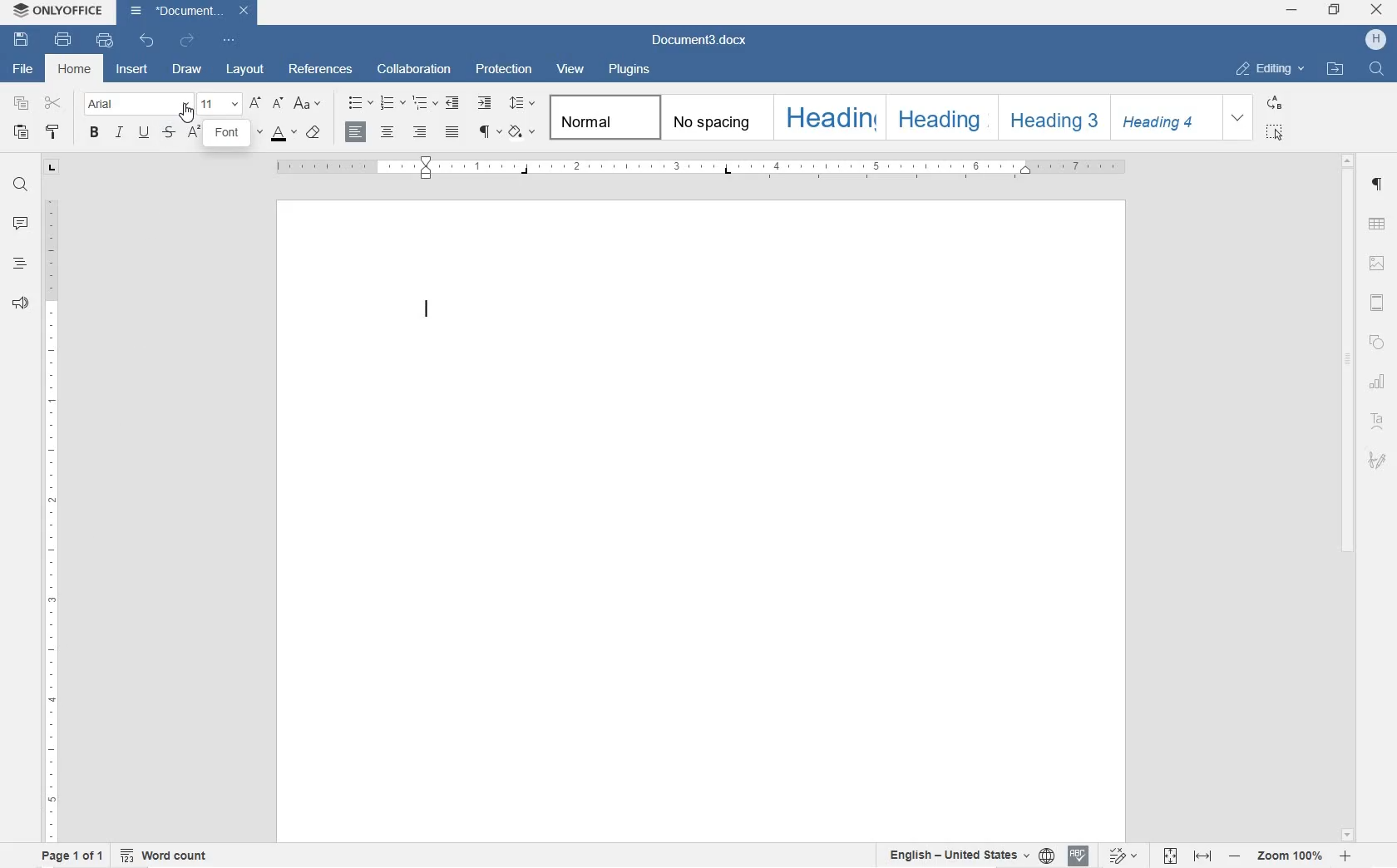 Image resolution: width=1397 pixels, height=868 pixels. I want to click on HEADING 2, so click(937, 118).